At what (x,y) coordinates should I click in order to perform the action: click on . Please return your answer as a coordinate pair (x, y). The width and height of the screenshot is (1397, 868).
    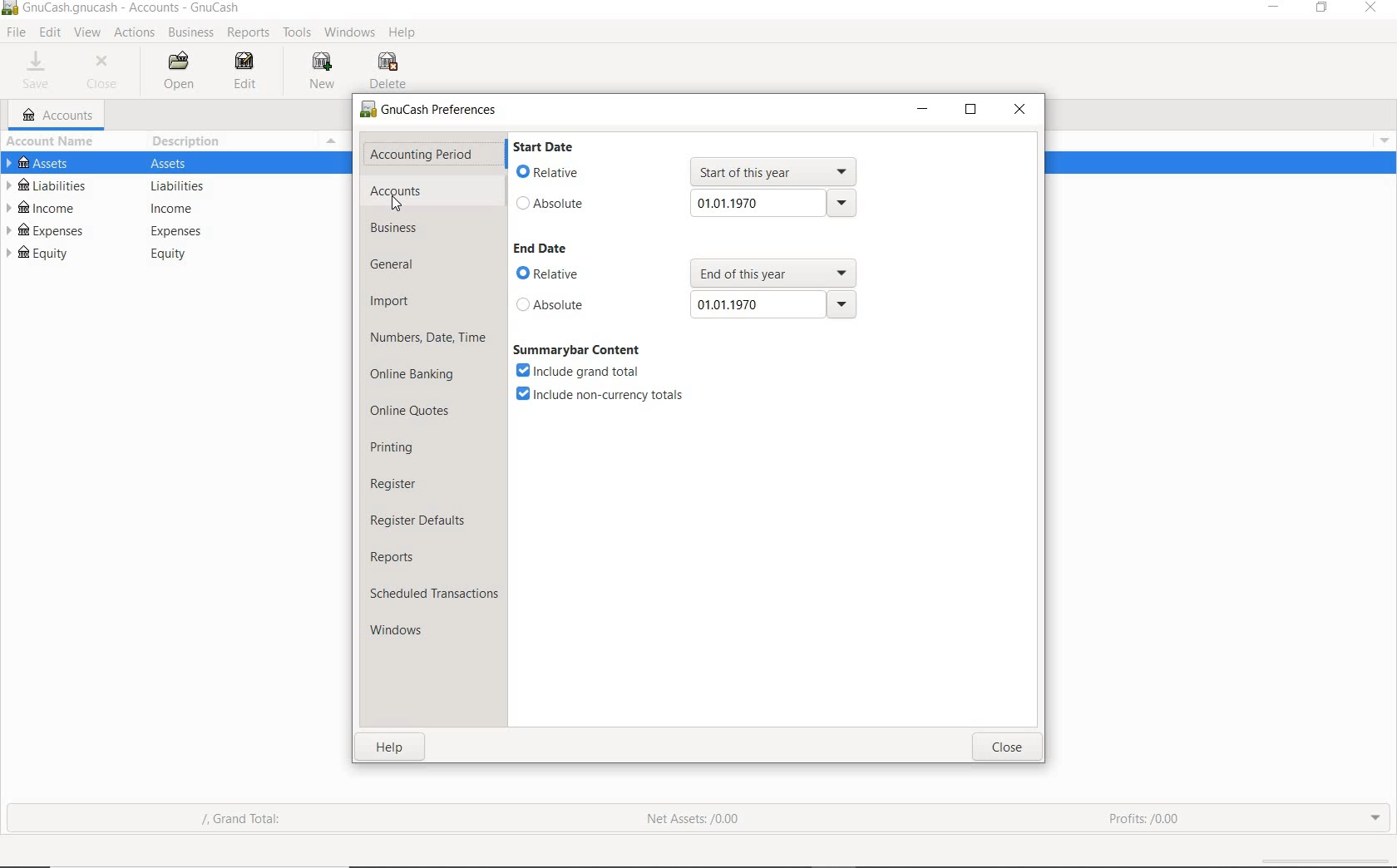
    Looking at the image, I should click on (177, 256).